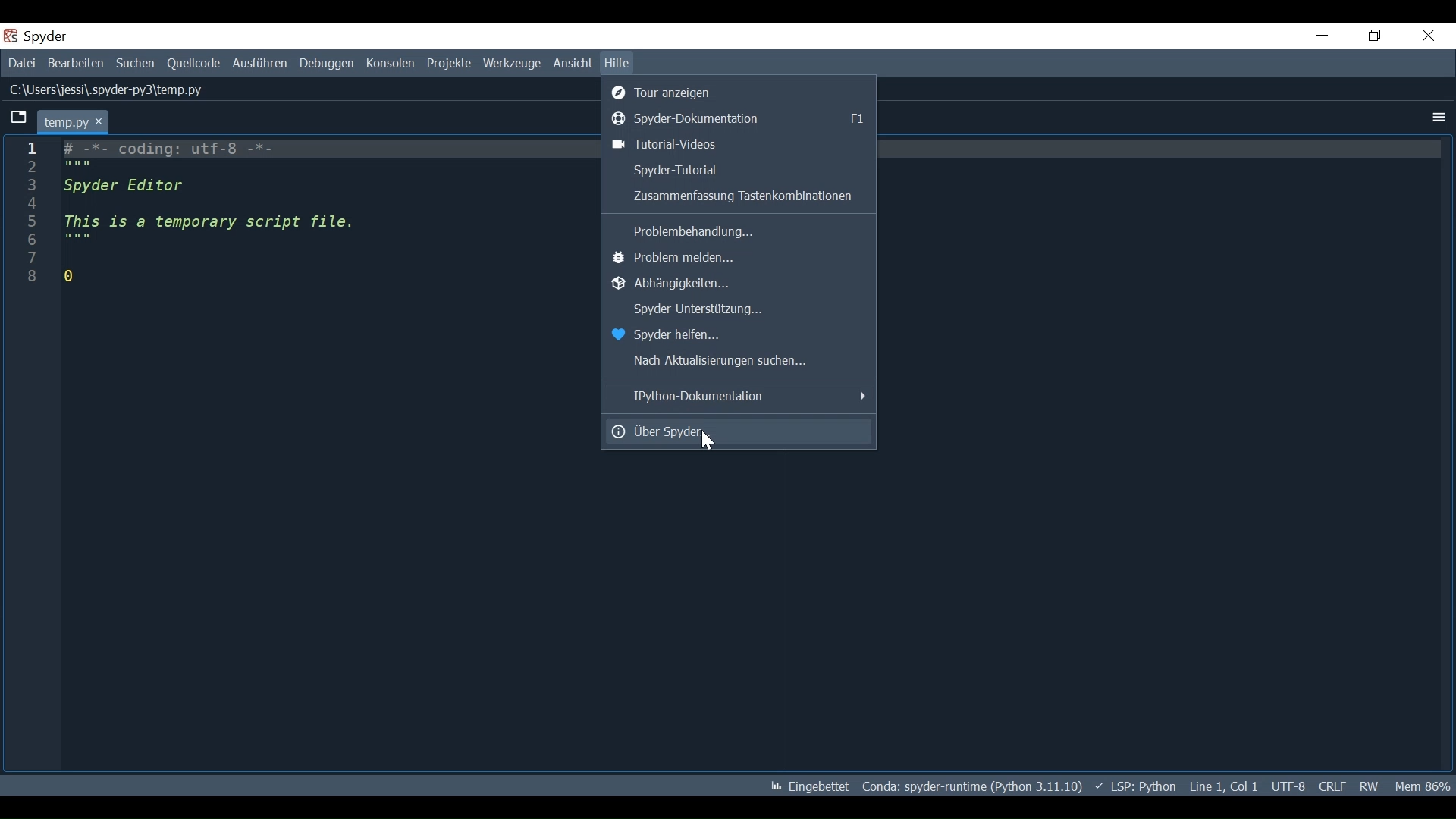  Describe the element at coordinates (1333, 786) in the screenshot. I see `File EQL Status` at that location.